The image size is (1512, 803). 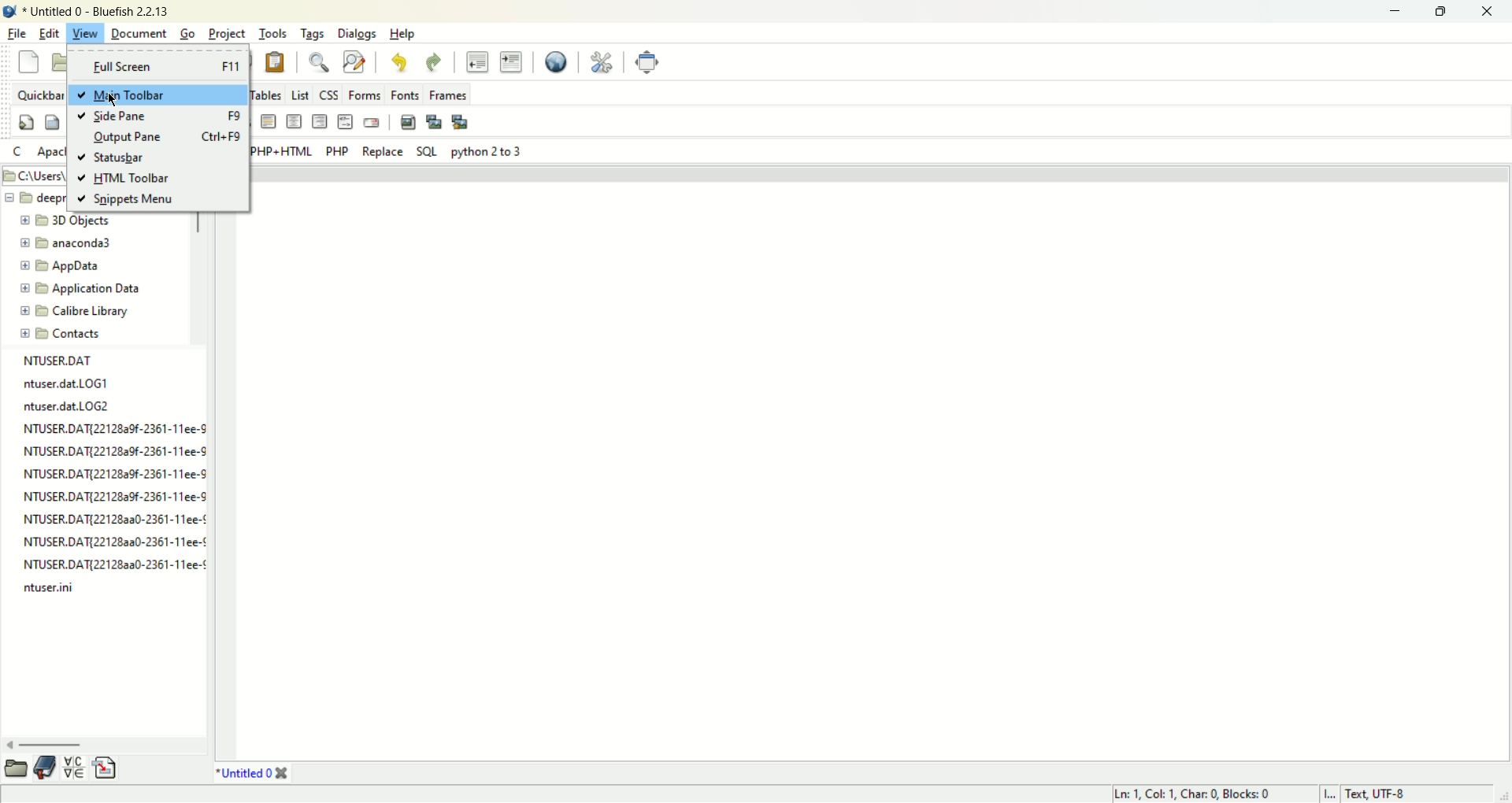 I want to click on tags, so click(x=315, y=33).